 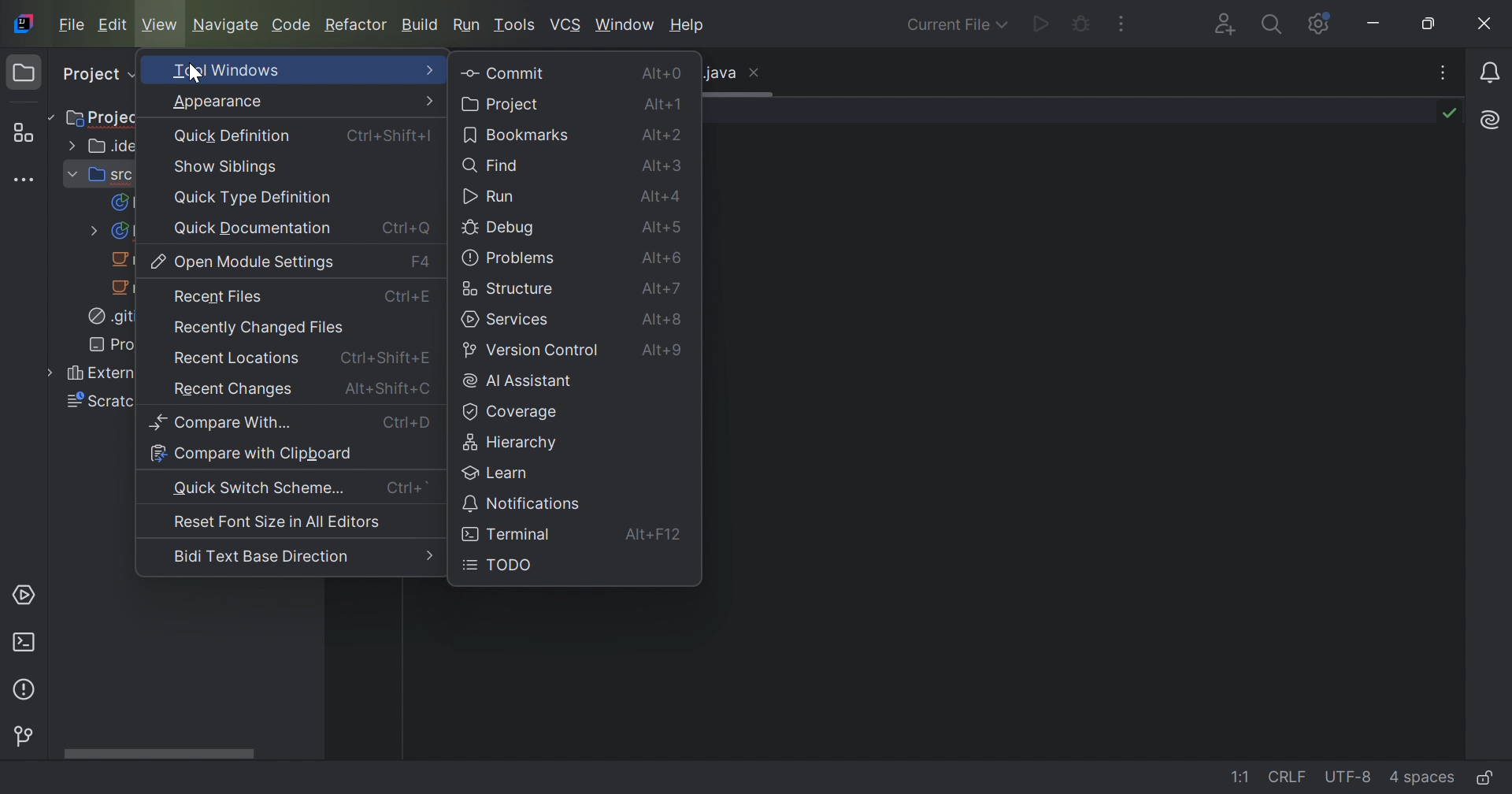 What do you see at coordinates (1040, 25) in the screenshot?
I see `Run` at bounding box center [1040, 25].